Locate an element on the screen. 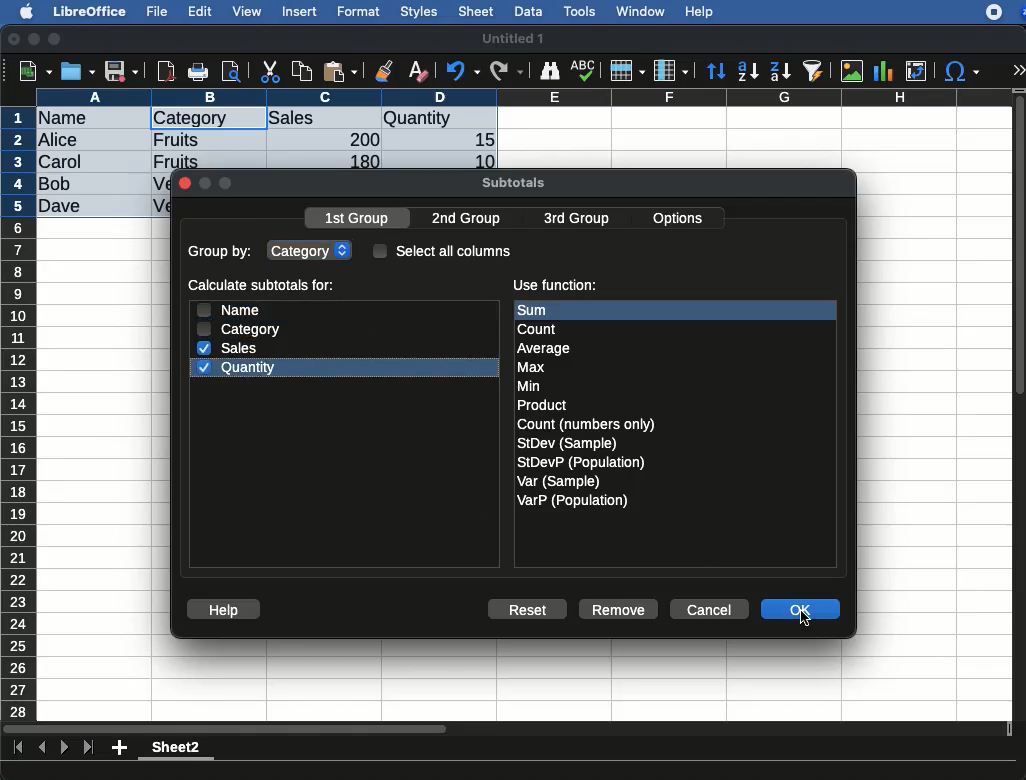 The width and height of the screenshot is (1026, 780). 180 is located at coordinates (357, 162).